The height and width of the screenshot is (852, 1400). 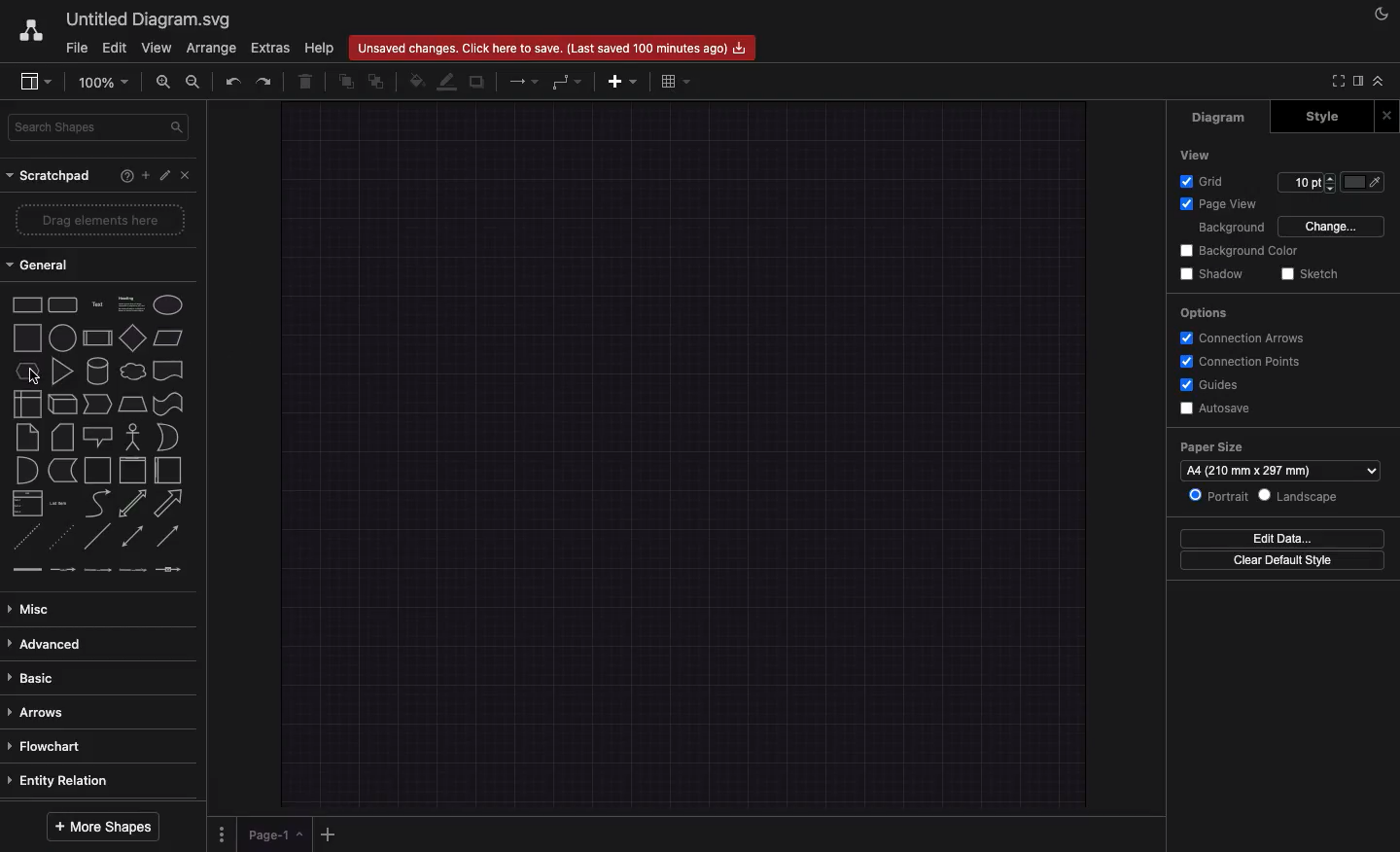 What do you see at coordinates (1220, 497) in the screenshot?
I see `Portrait` at bounding box center [1220, 497].